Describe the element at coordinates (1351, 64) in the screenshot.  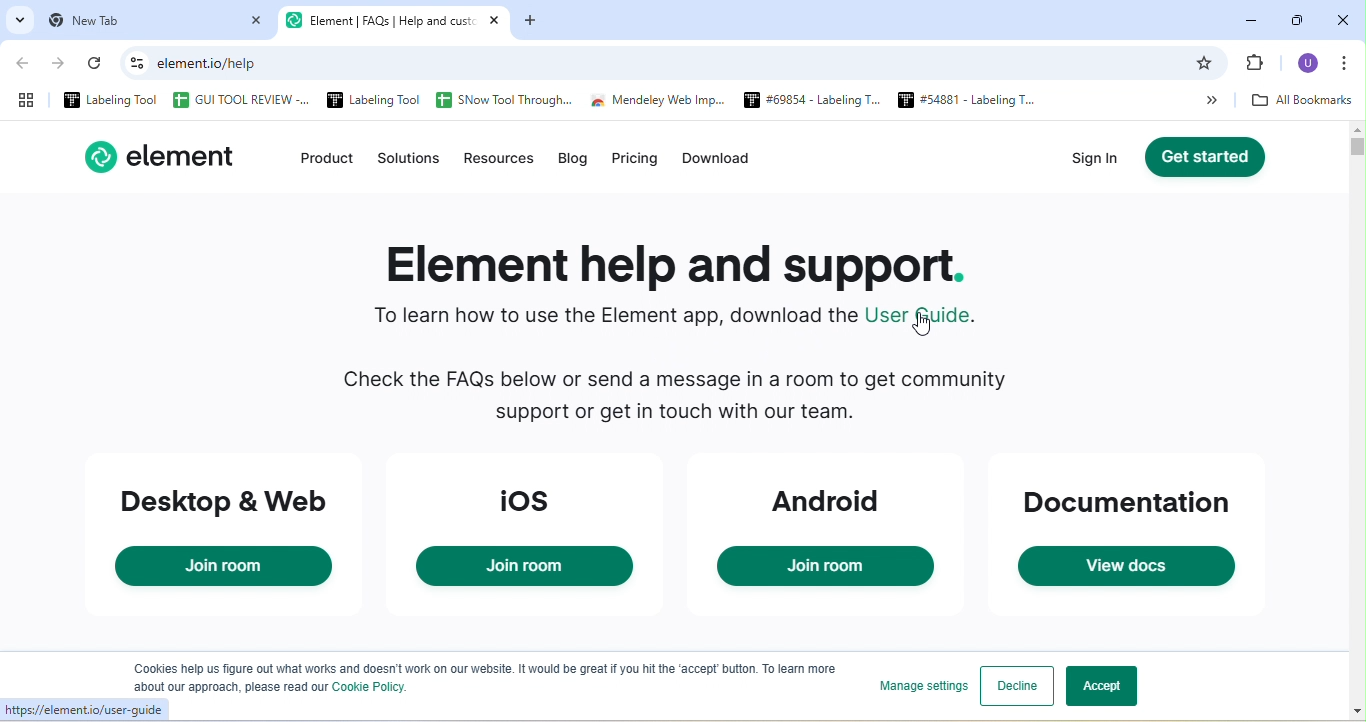
I see `customized and control google chrome` at that location.